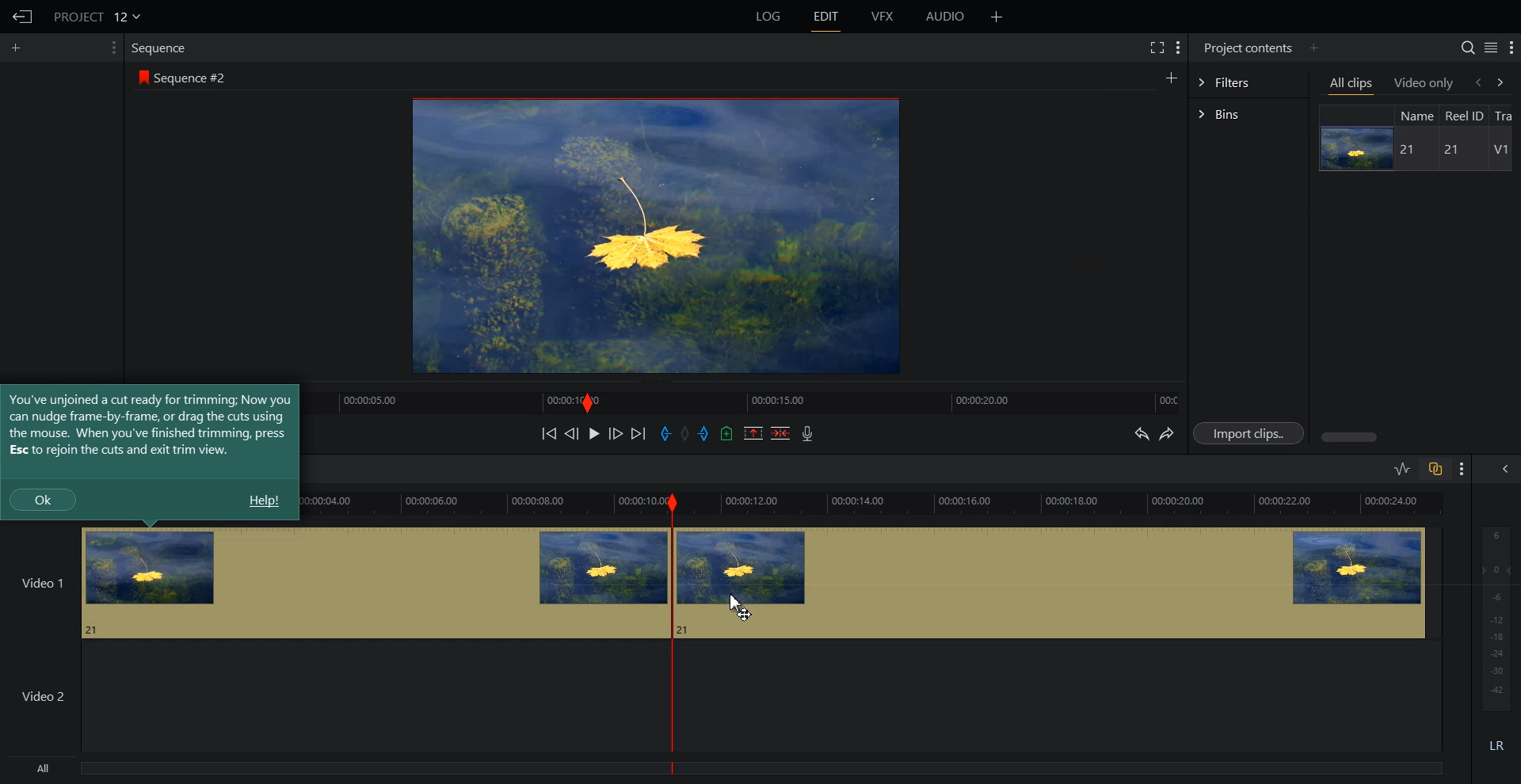 Image resolution: width=1521 pixels, height=784 pixels. Describe the element at coordinates (43, 499) in the screenshot. I see `ok` at that location.